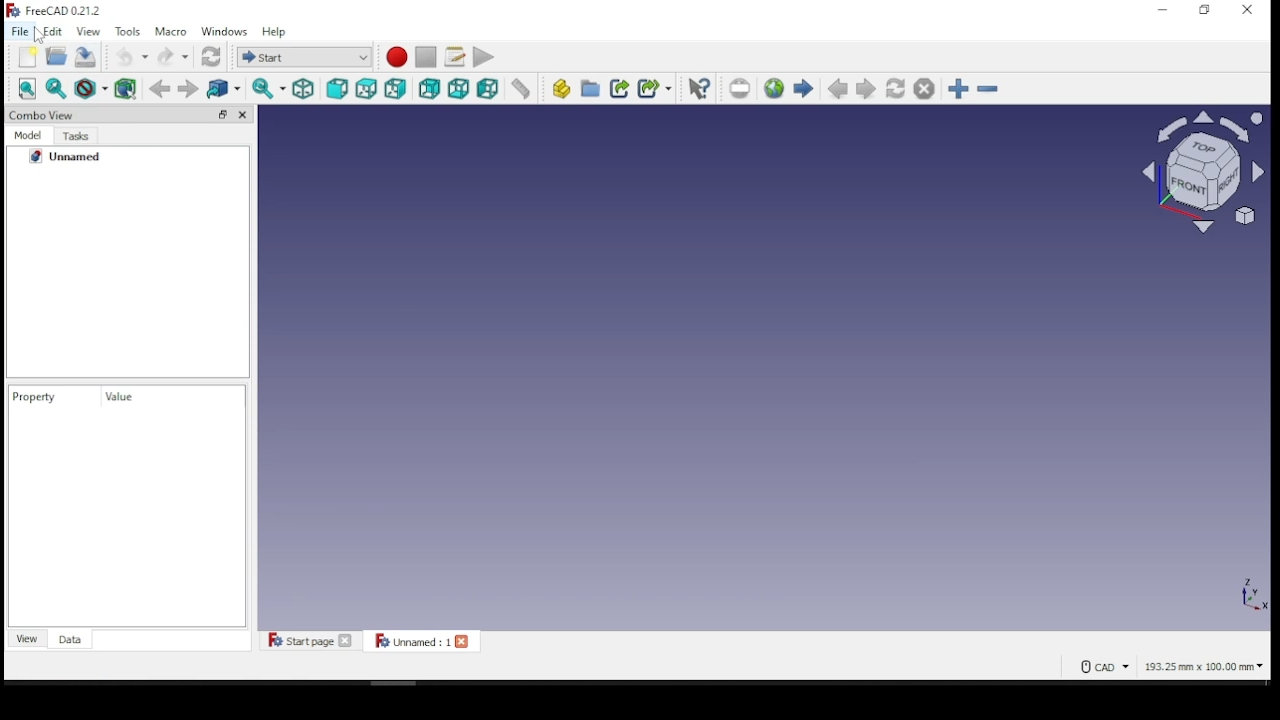 The width and height of the screenshot is (1280, 720). I want to click on undo, so click(131, 57).